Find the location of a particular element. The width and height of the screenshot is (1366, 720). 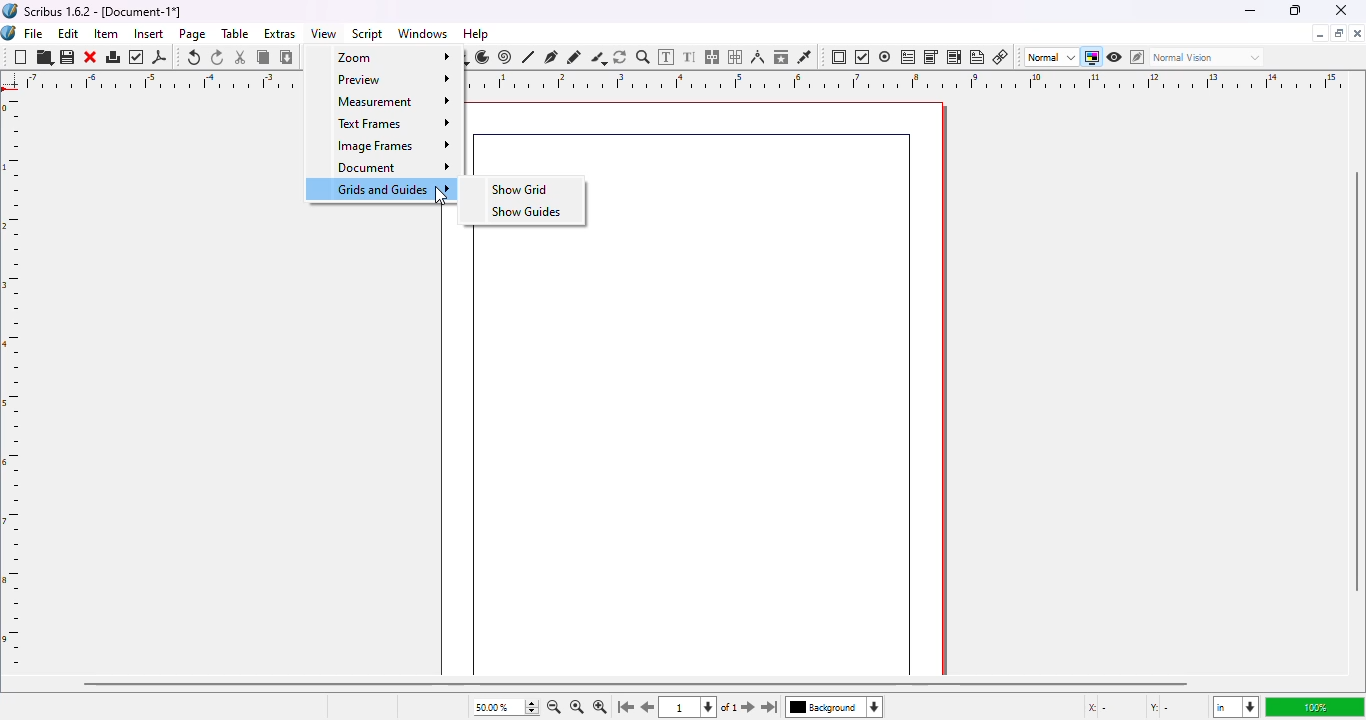

go to the last page is located at coordinates (773, 709).